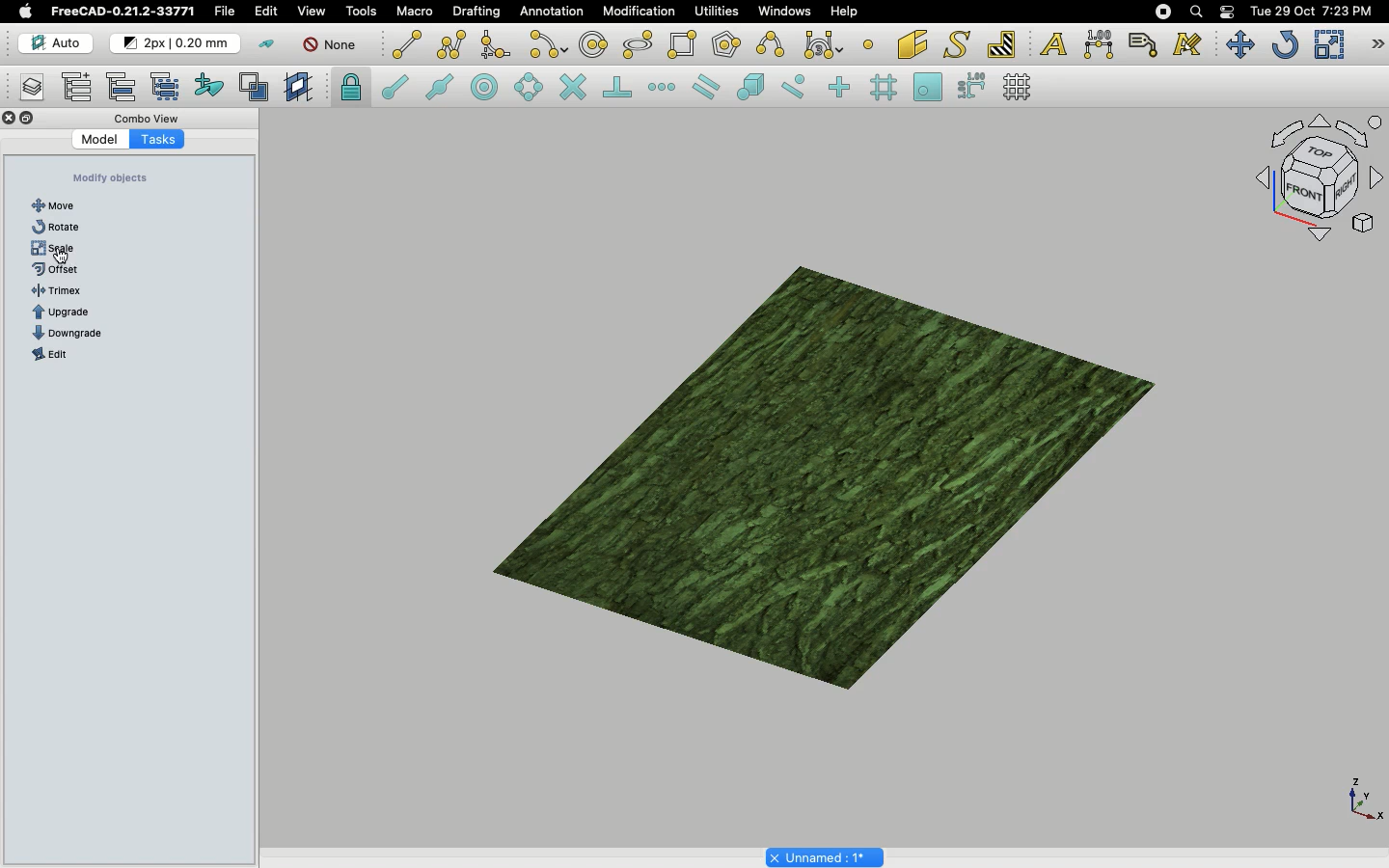 This screenshot has height=868, width=1389. Describe the element at coordinates (73, 262) in the screenshot. I see `Click` at that location.